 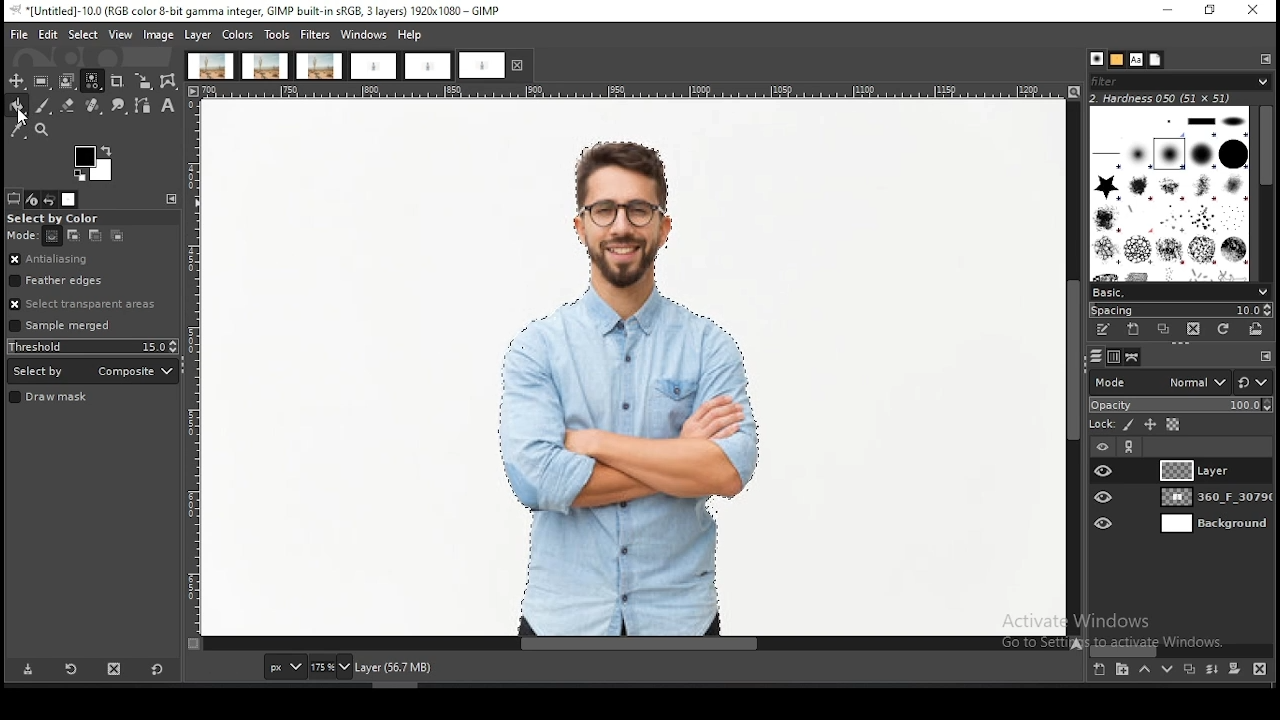 What do you see at coordinates (637, 91) in the screenshot?
I see `scale` at bounding box center [637, 91].